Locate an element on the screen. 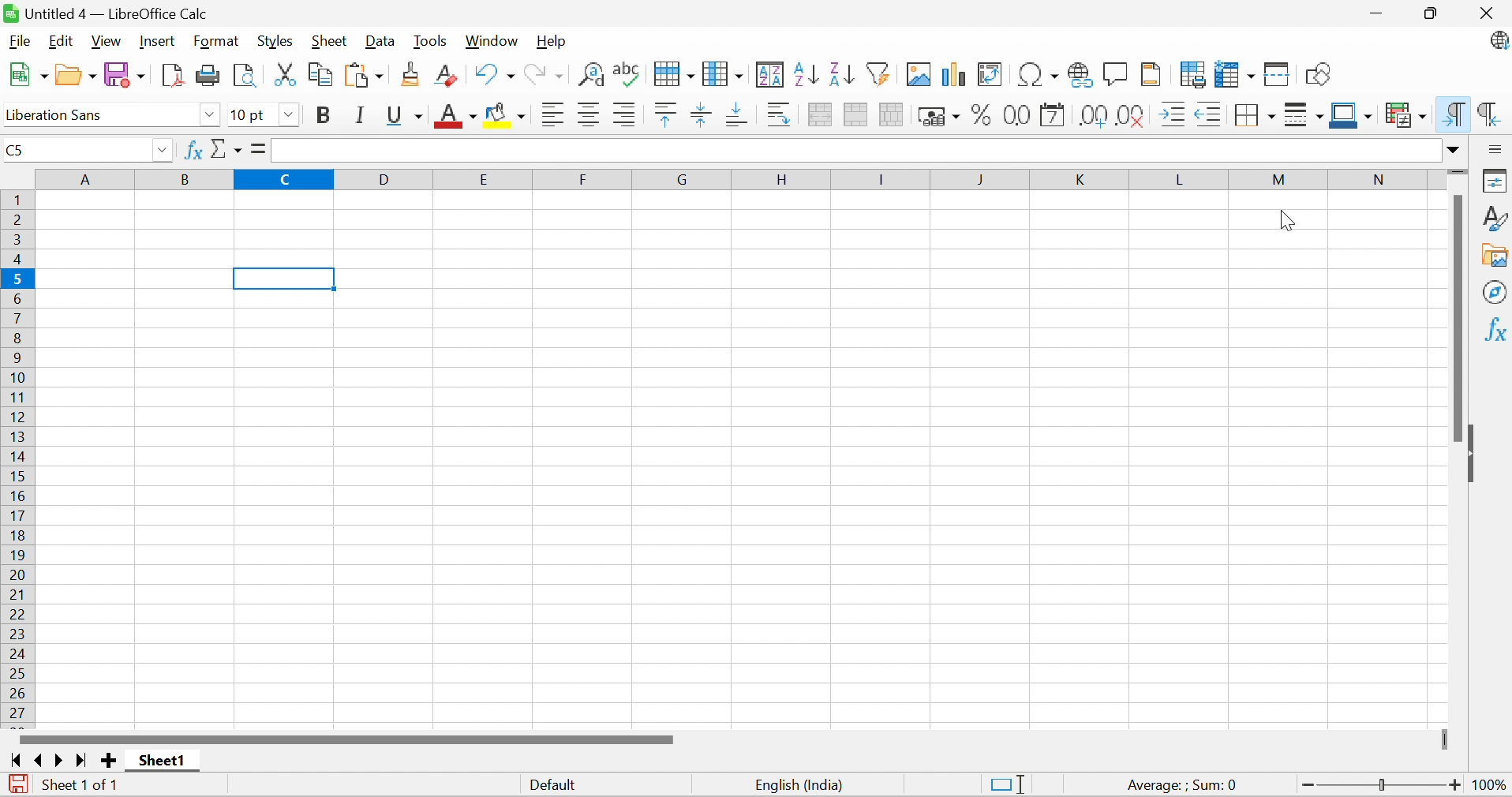 The width and height of the screenshot is (1512, 797). Sidebar settings is located at coordinates (1497, 148).